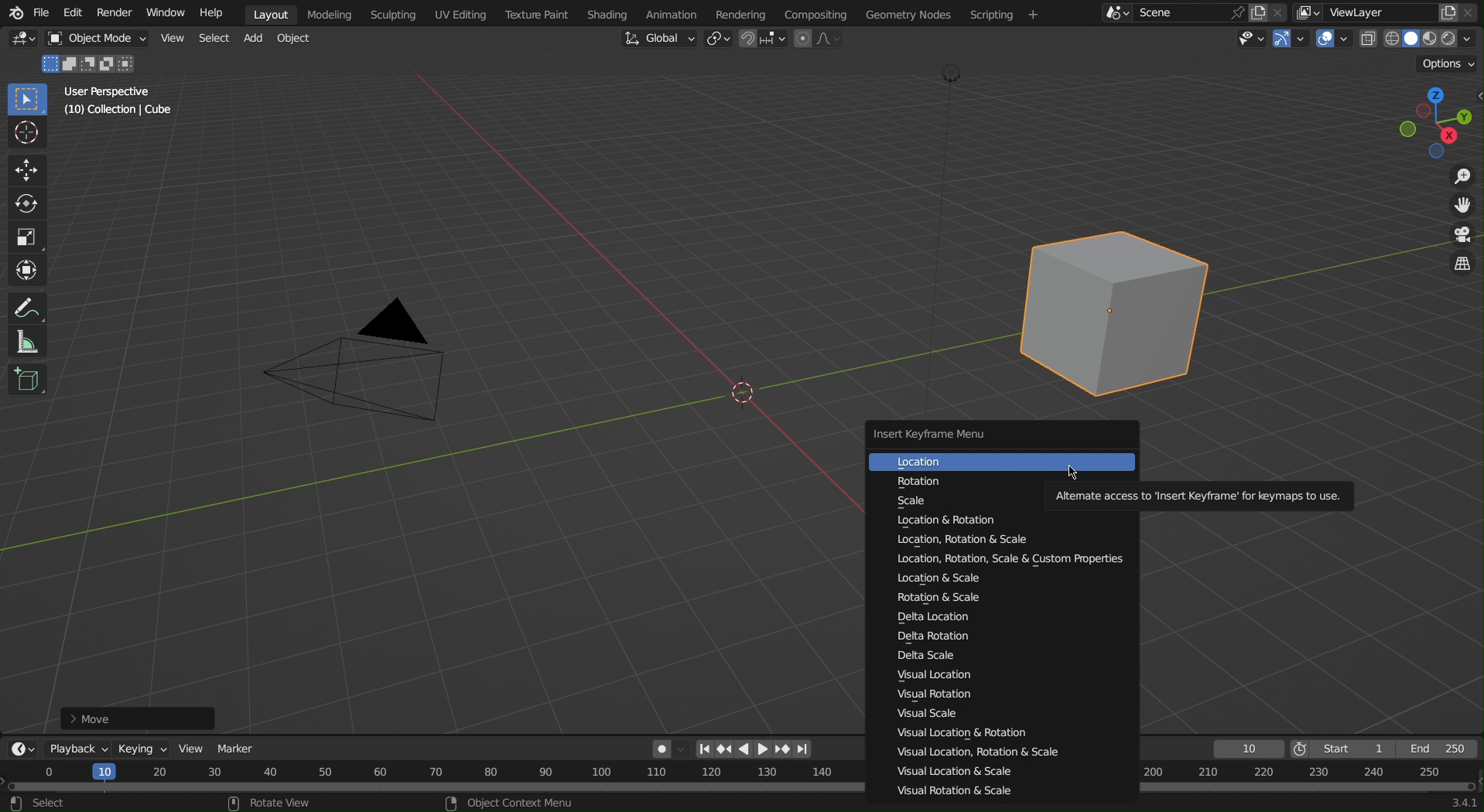 The height and width of the screenshot is (812, 1484). Describe the element at coordinates (783, 749) in the screenshot. I see `Next` at that location.